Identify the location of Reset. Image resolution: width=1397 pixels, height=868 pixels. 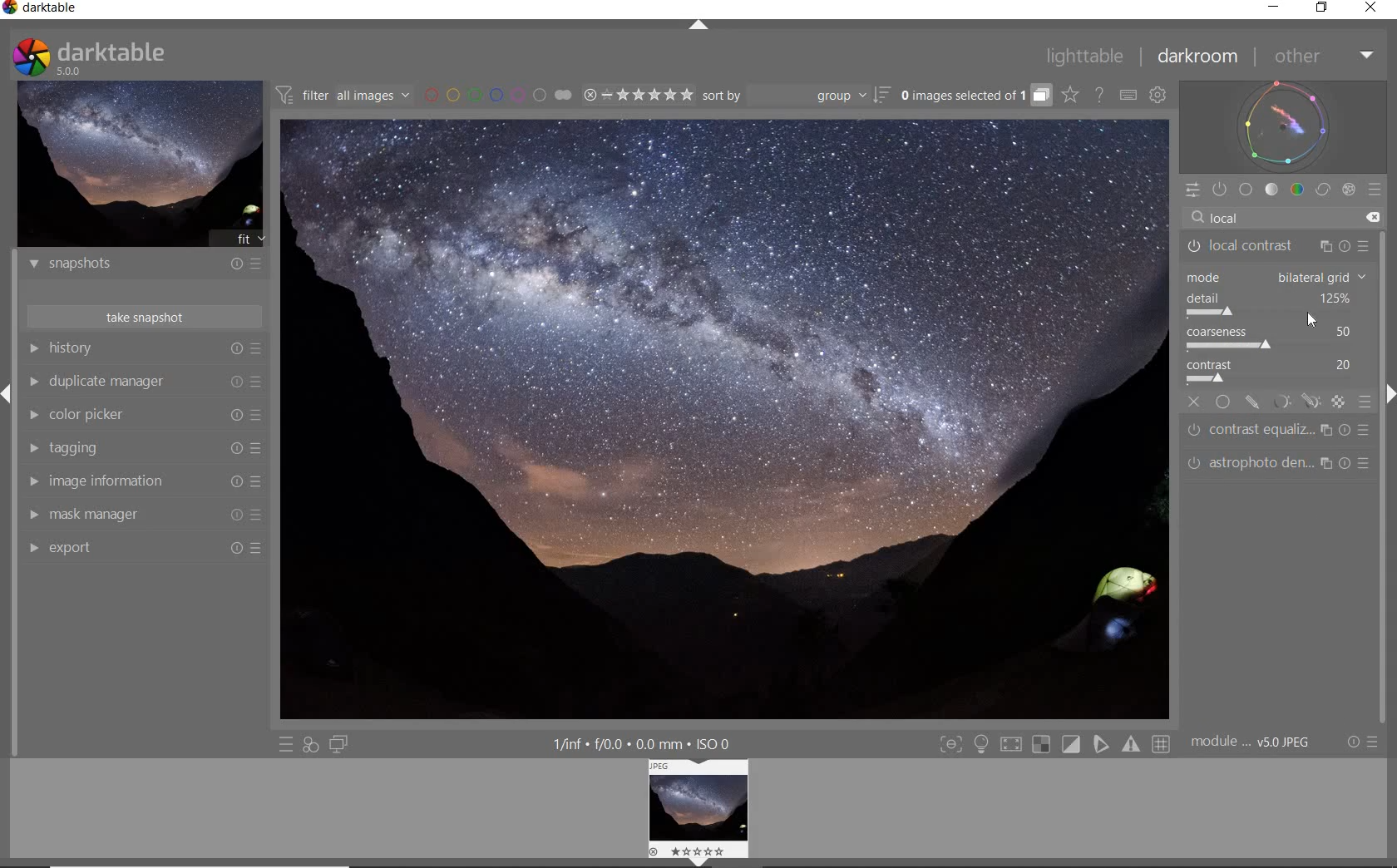
(234, 448).